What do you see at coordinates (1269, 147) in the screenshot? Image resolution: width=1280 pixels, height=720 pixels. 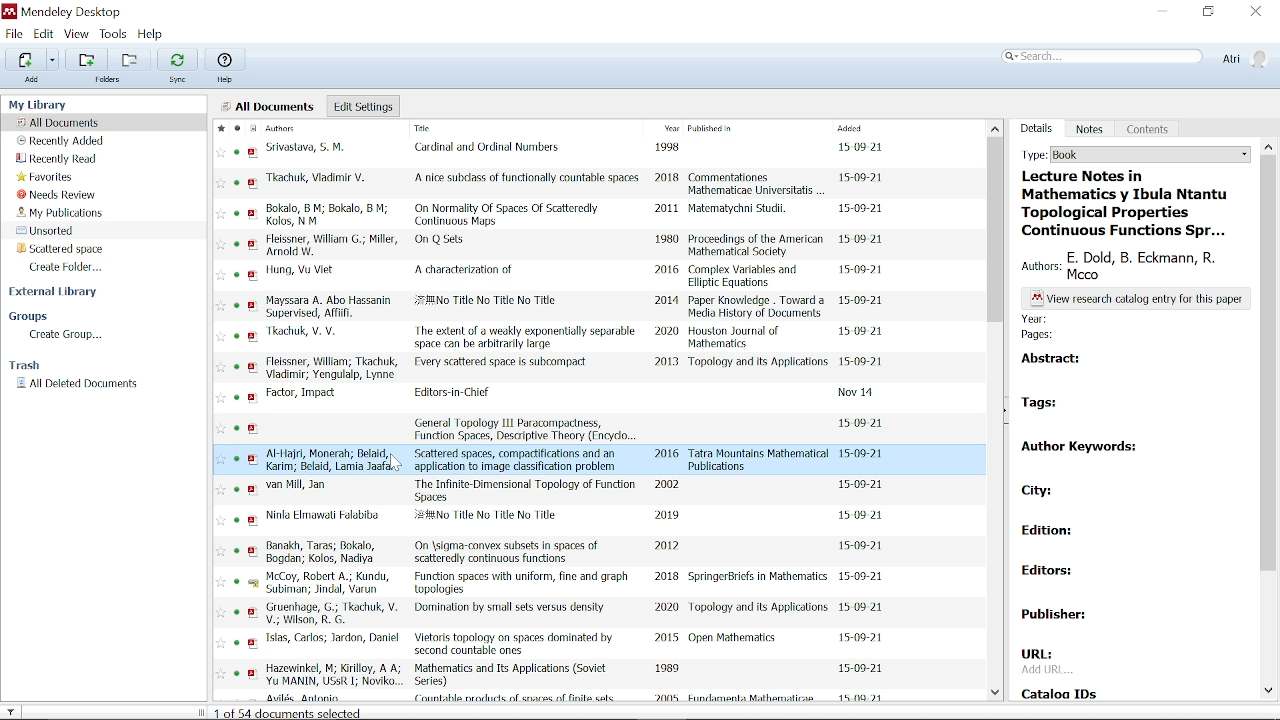 I see `Type of the document ` at bounding box center [1269, 147].